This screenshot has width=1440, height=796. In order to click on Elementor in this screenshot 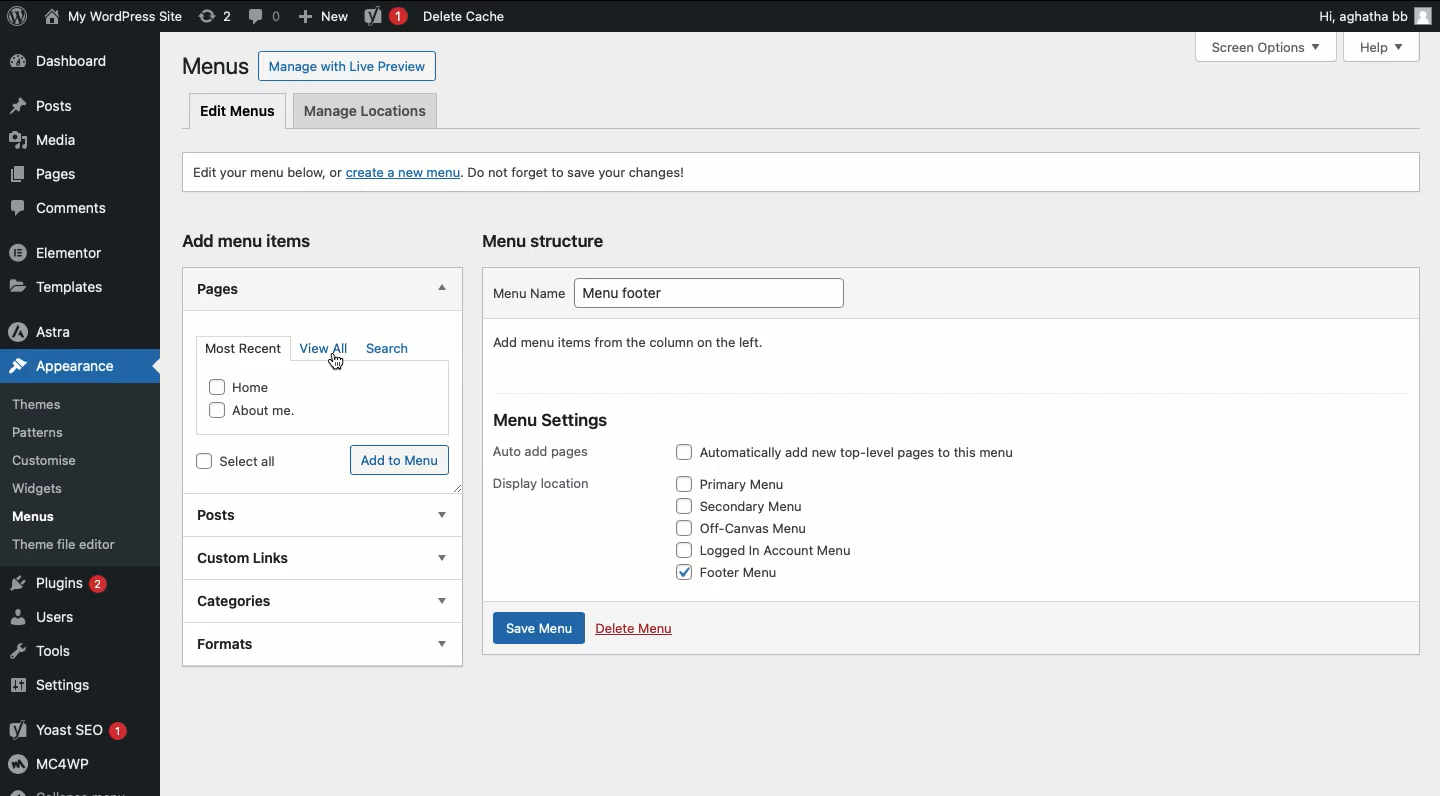, I will do `click(68, 254)`.